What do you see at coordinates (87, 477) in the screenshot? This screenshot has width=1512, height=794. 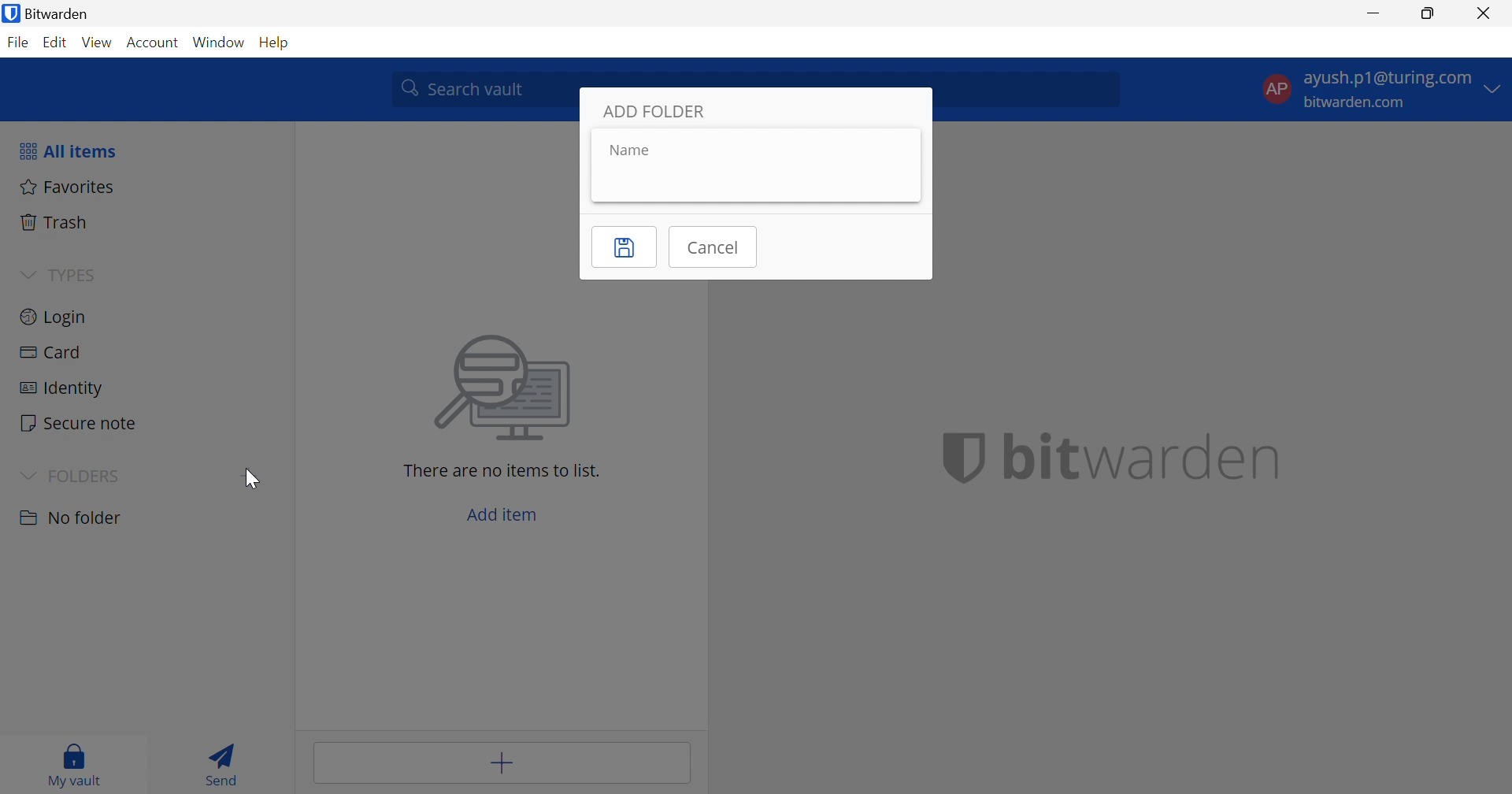 I see `FOLDERS` at bounding box center [87, 477].